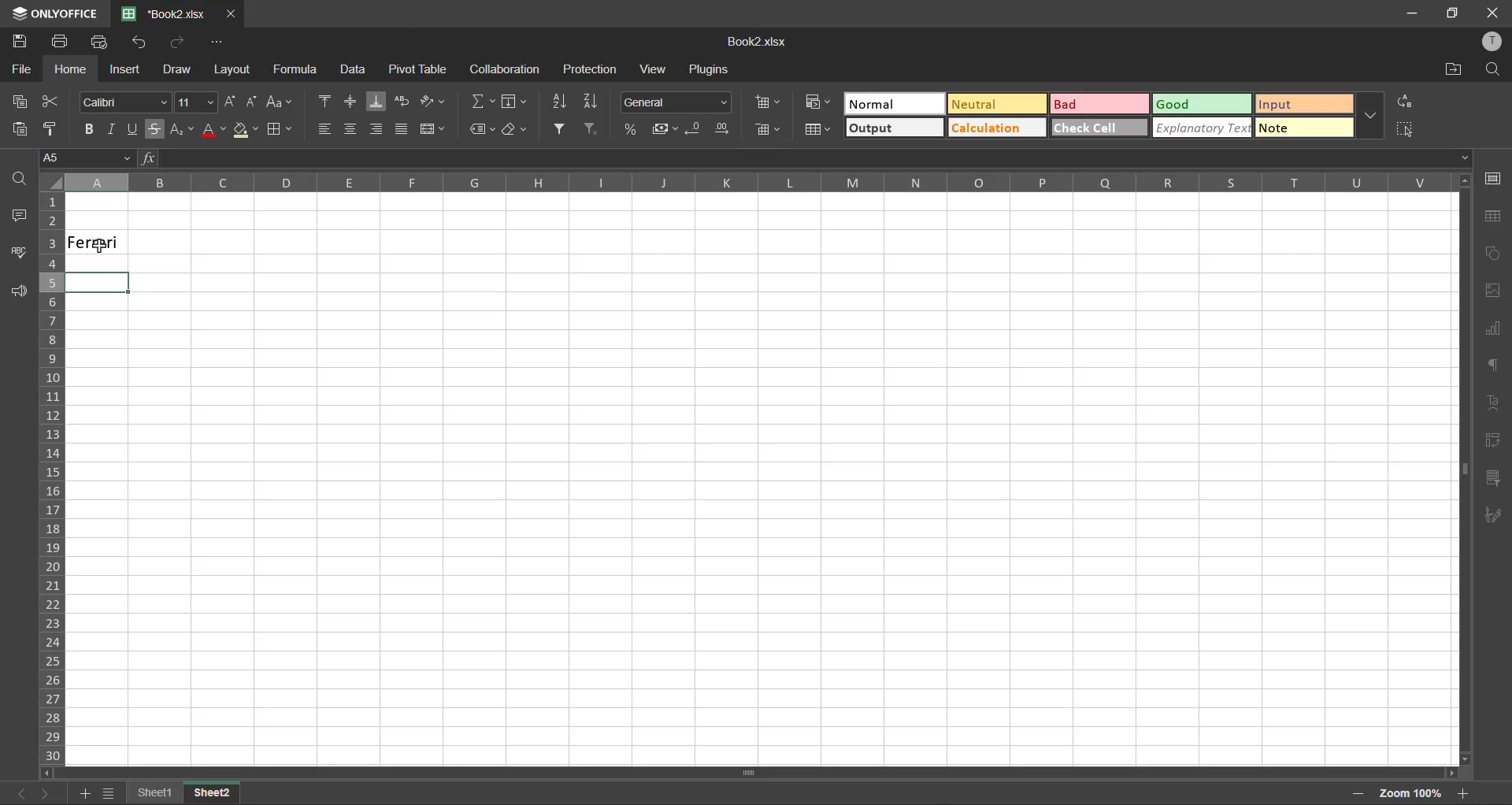 This screenshot has width=1512, height=805. I want to click on Horizontal Scrollbar, so click(1455, 474).